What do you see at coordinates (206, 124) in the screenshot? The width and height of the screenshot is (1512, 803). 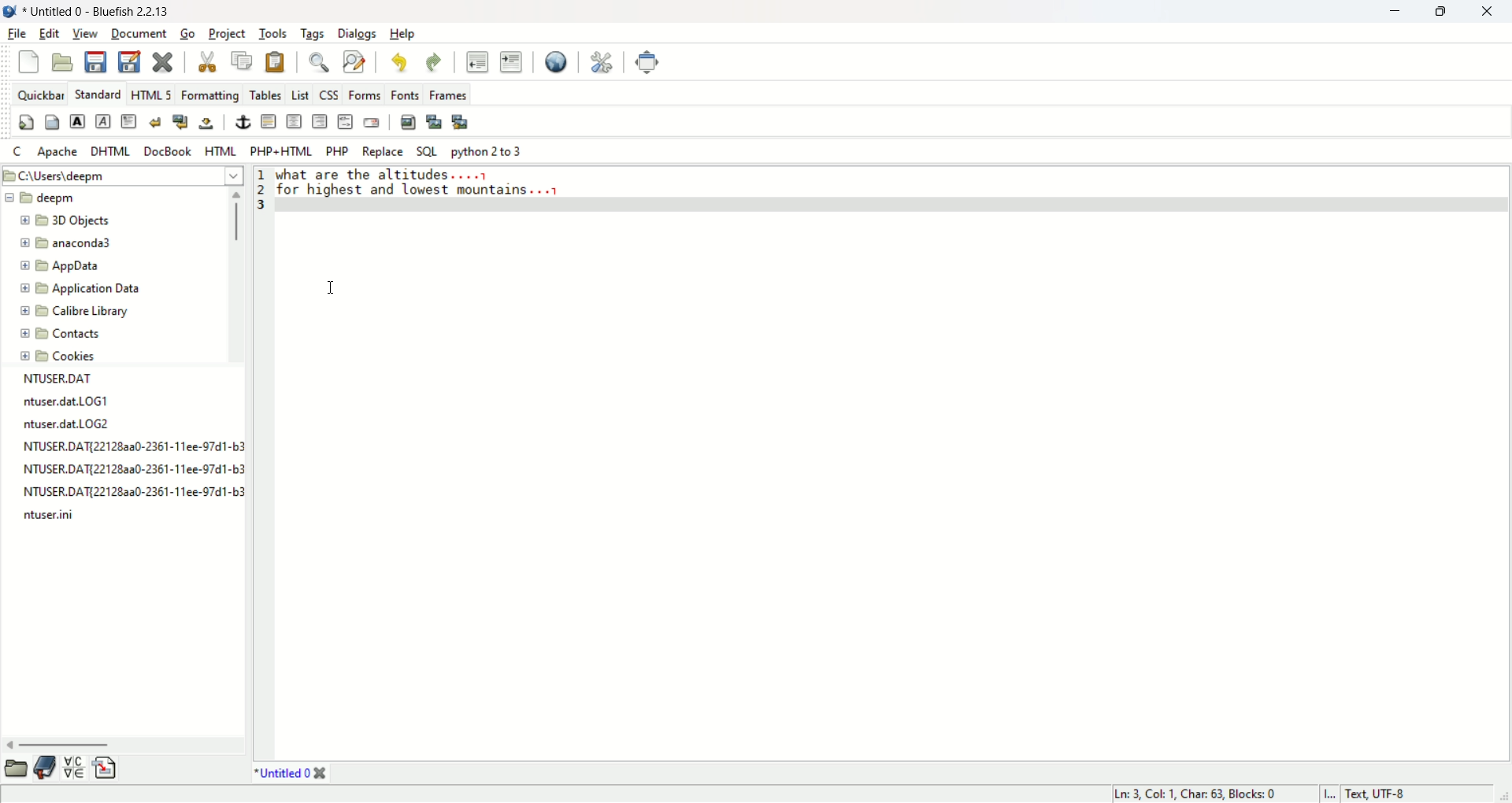 I see `non-breaking space` at bounding box center [206, 124].